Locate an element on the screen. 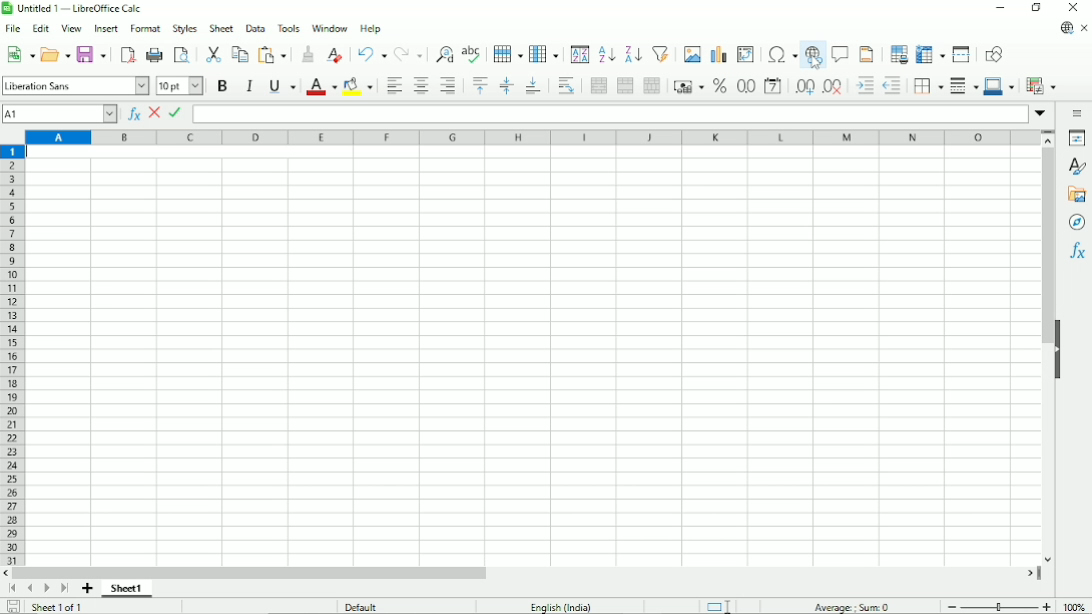 The width and height of the screenshot is (1092, 614). Gallery is located at coordinates (1078, 194).